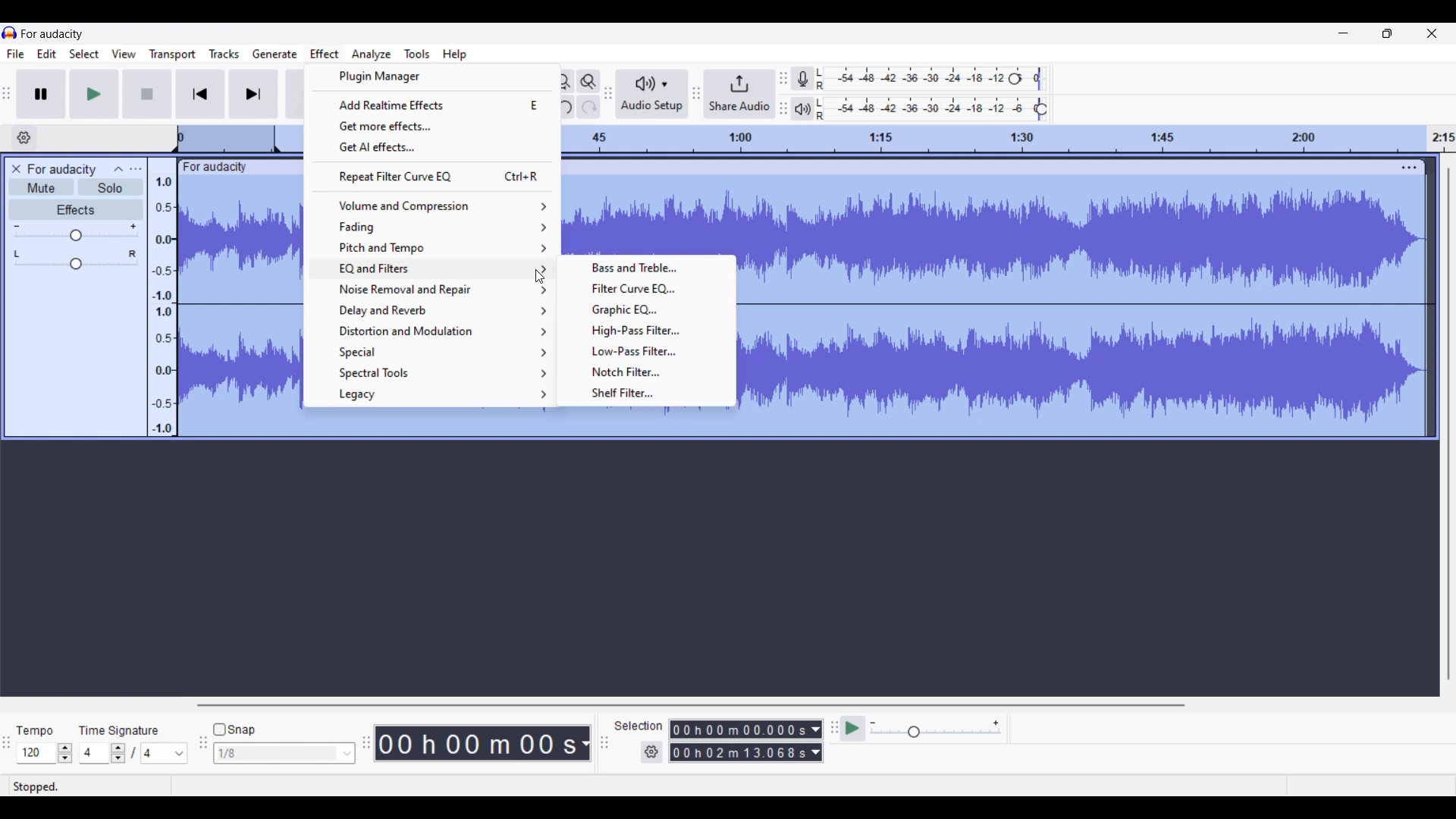 The height and width of the screenshot is (819, 1456). What do you see at coordinates (124, 54) in the screenshot?
I see `View menu` at bounding box center [124, 54].